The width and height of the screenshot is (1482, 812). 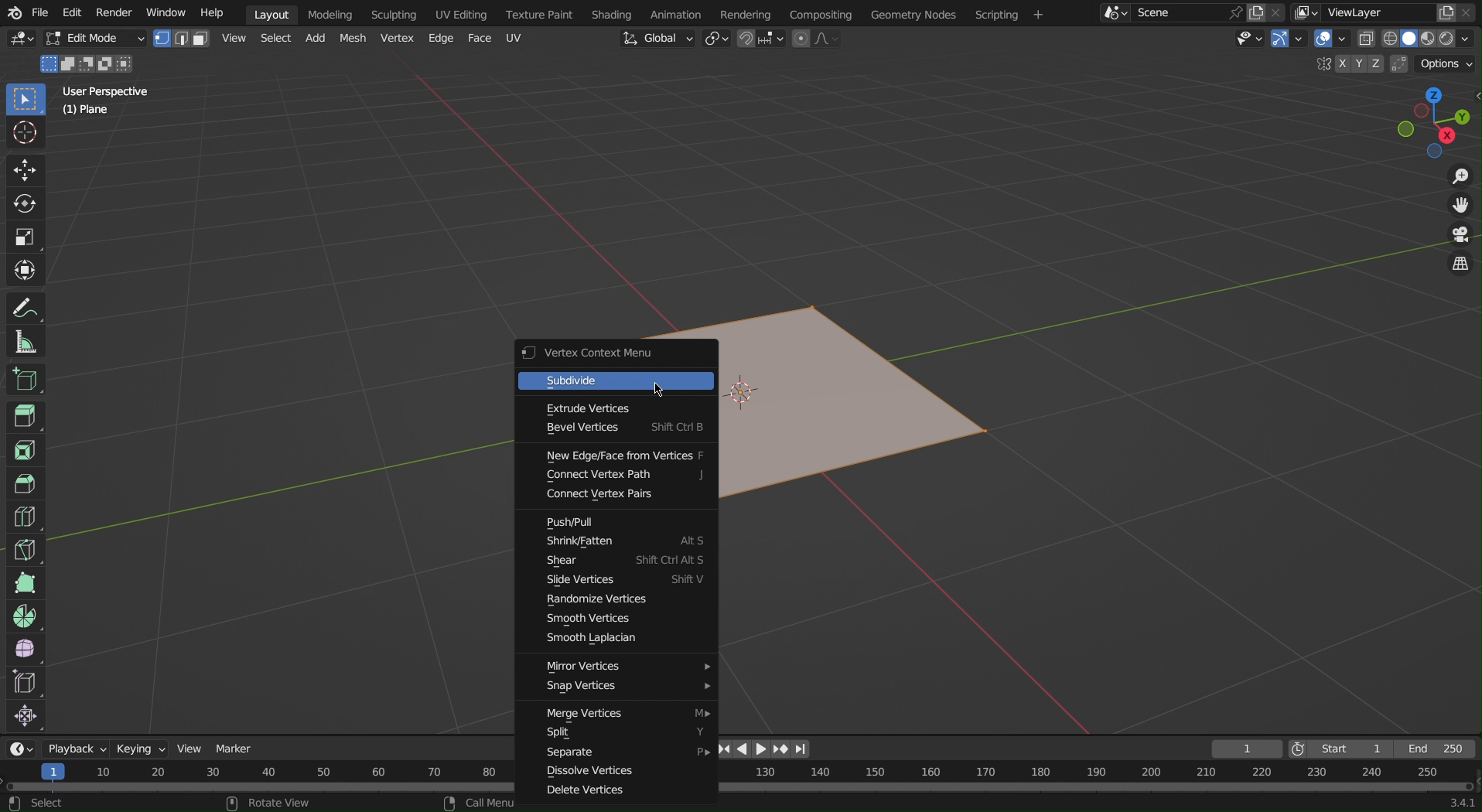 What do you see at coordinates (24, 378) in the screenshot?
I see `New Cube` at bounding box center [24, 378].